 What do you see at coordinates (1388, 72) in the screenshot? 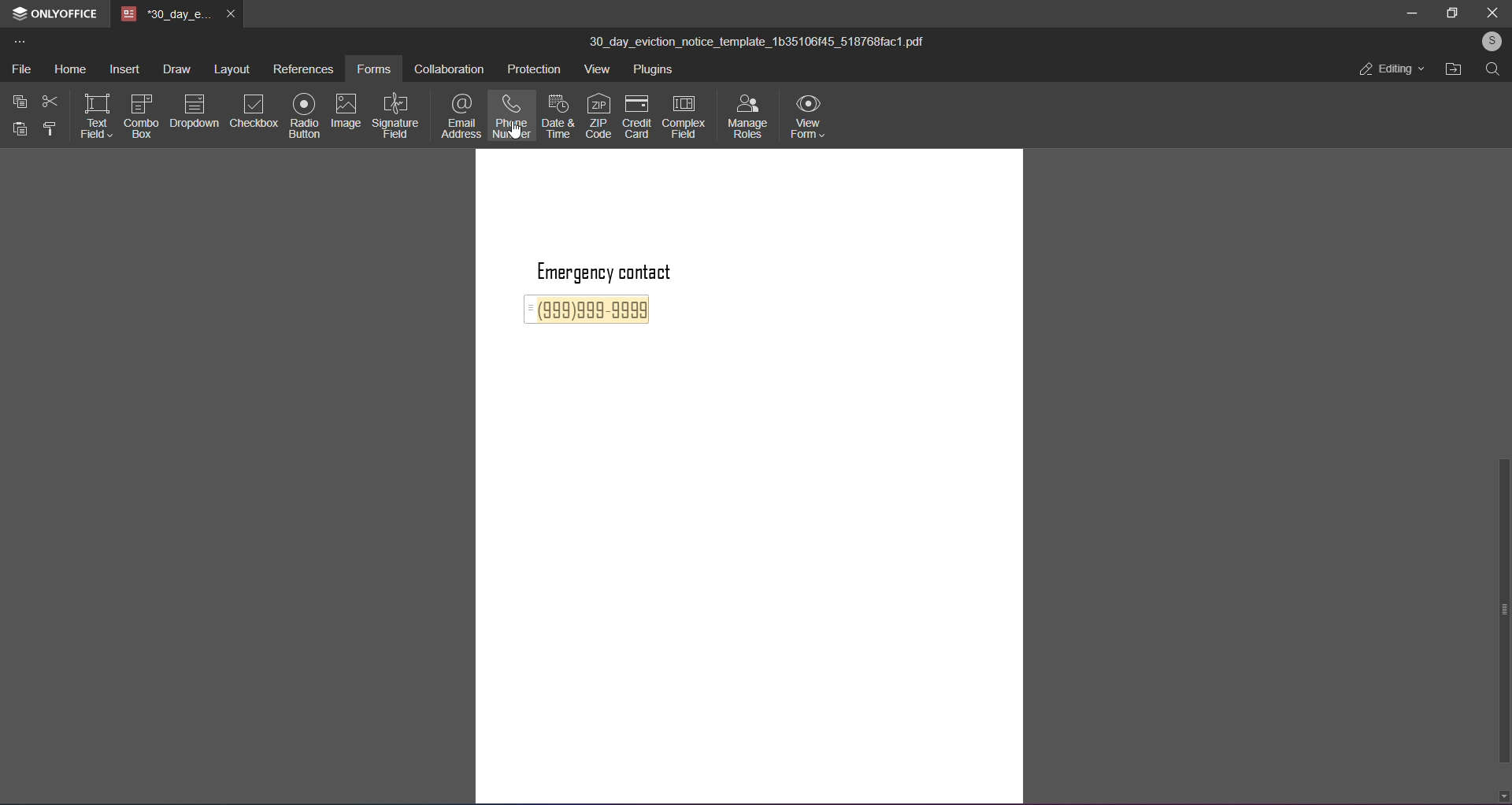
I see `editing` at bounding box center [1388, 72].